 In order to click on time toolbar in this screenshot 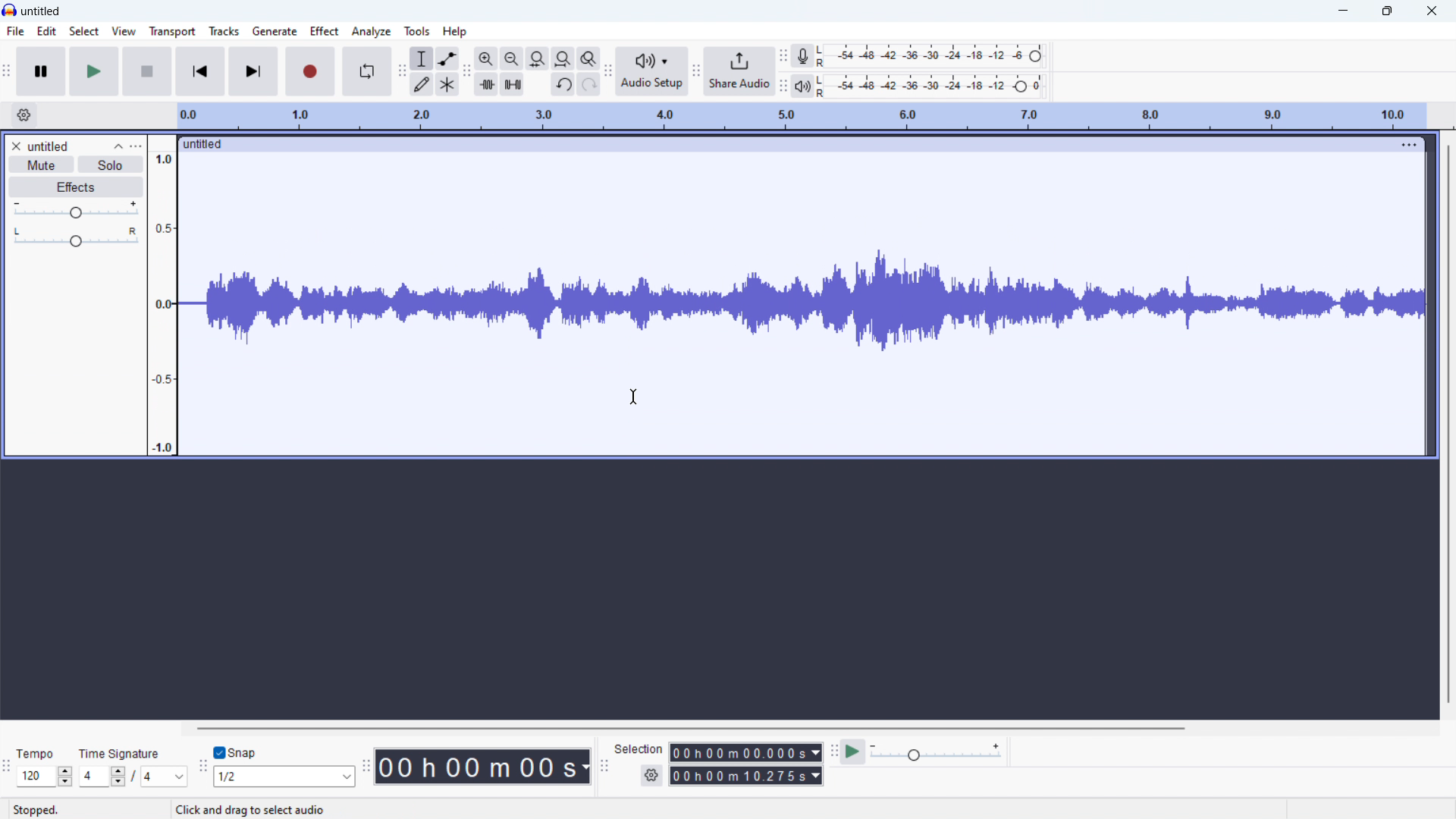, I will do `click(365, 769)`.